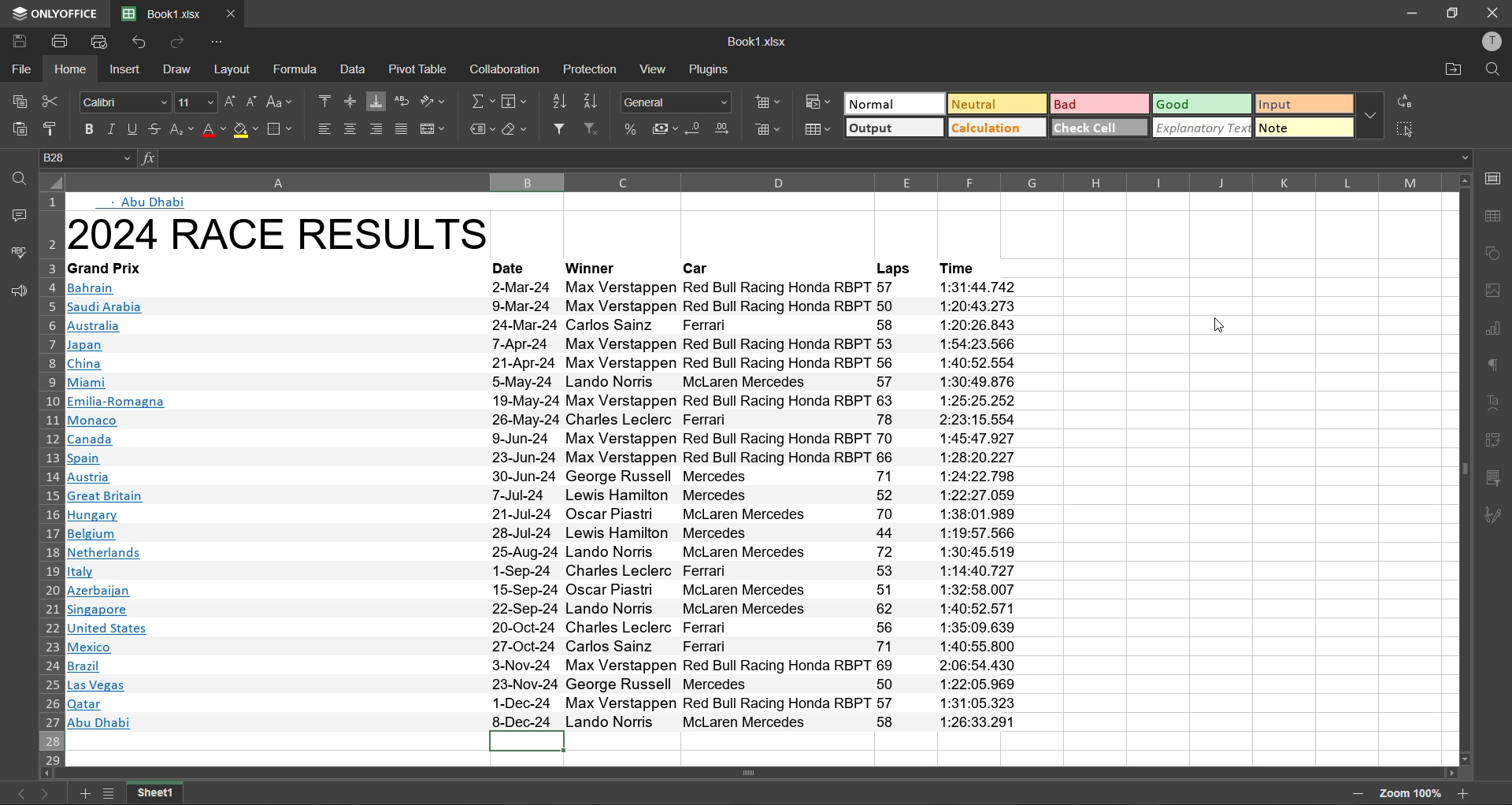 The height and width of the screenshot is (805, 1512). Describe the element at coordinates (665, 129) in the screenshot. I see `accounting` at that location.